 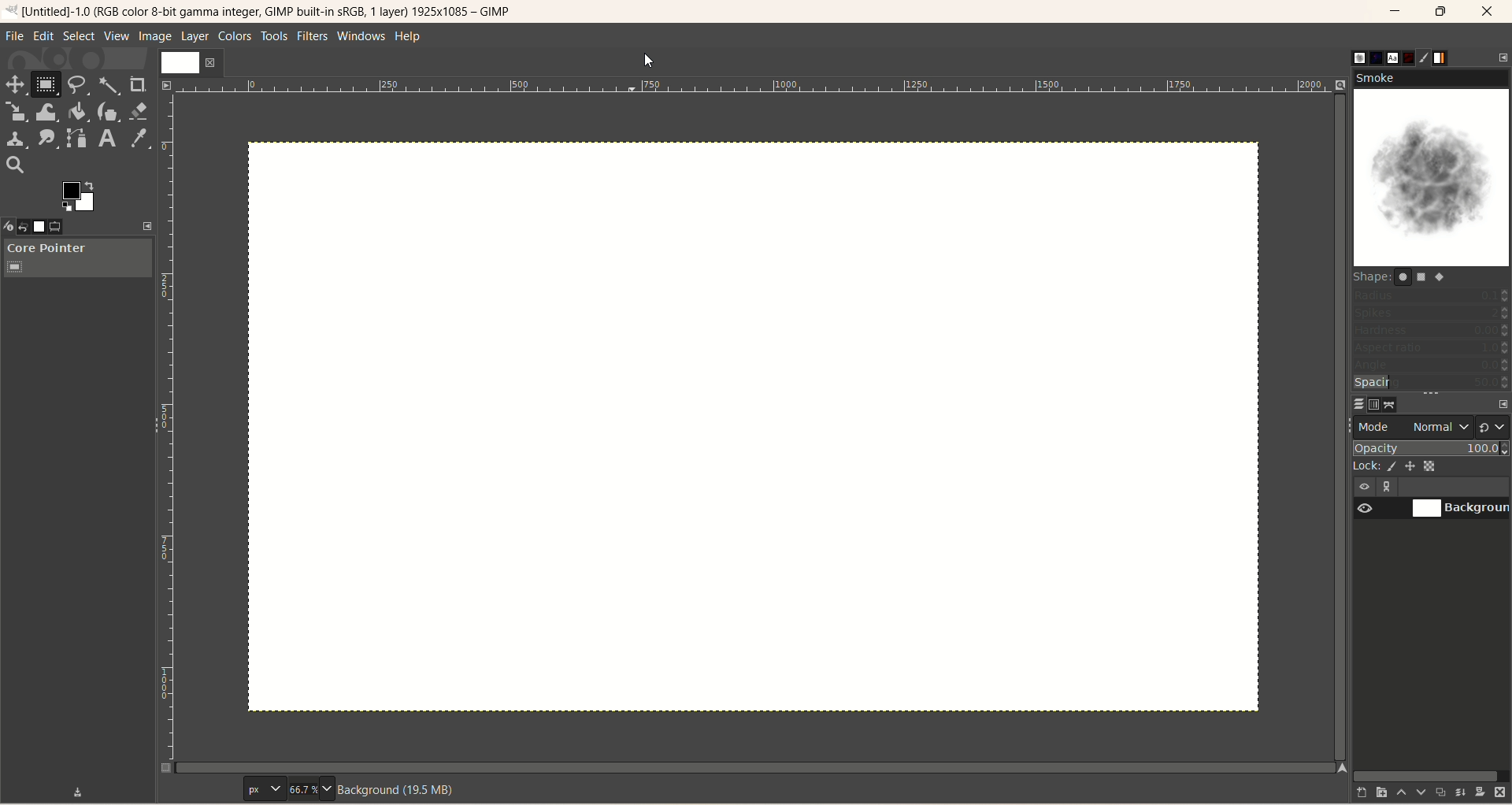 I want to click on font, so click(x=1389, y=57).